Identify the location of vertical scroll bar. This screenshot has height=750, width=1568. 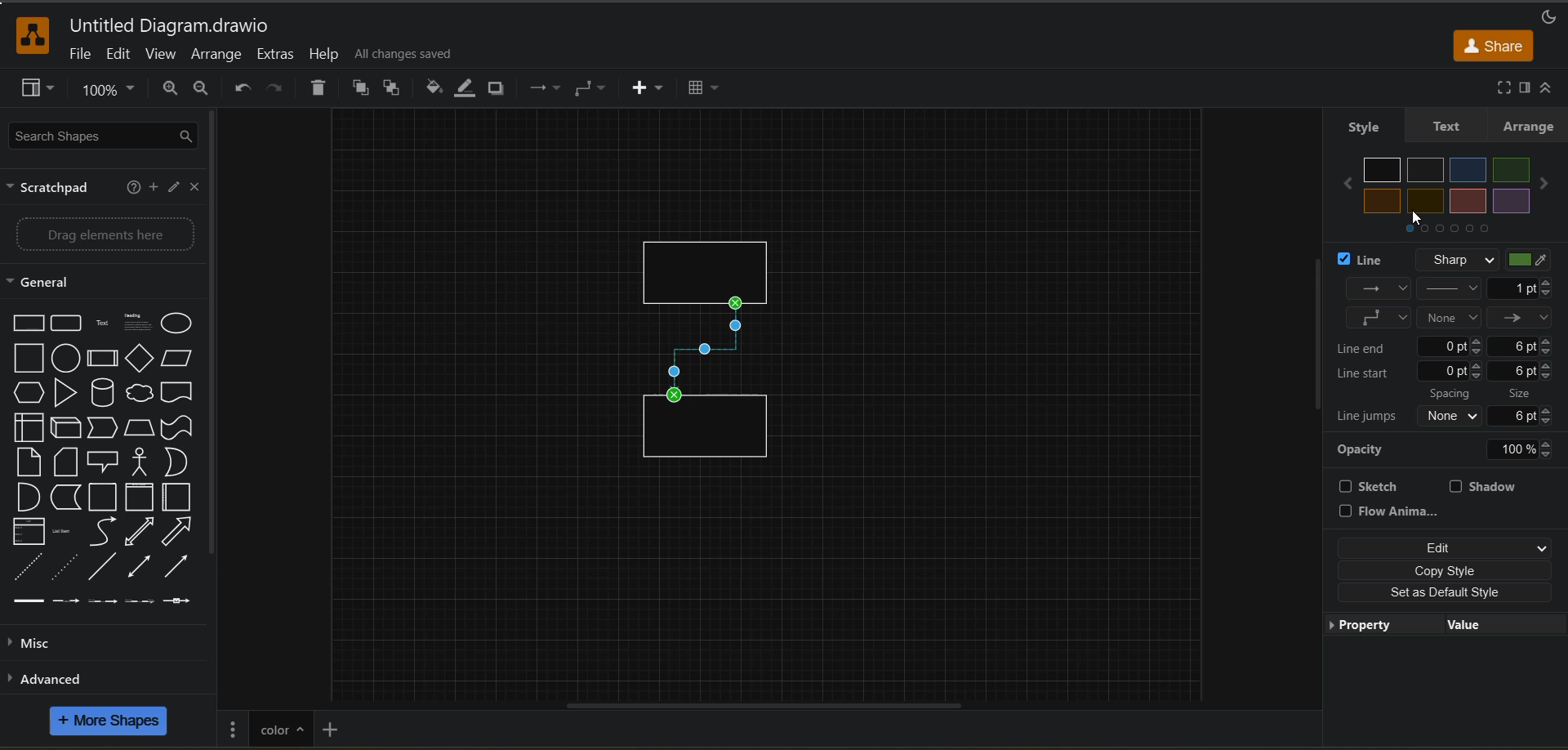
(220, 338).